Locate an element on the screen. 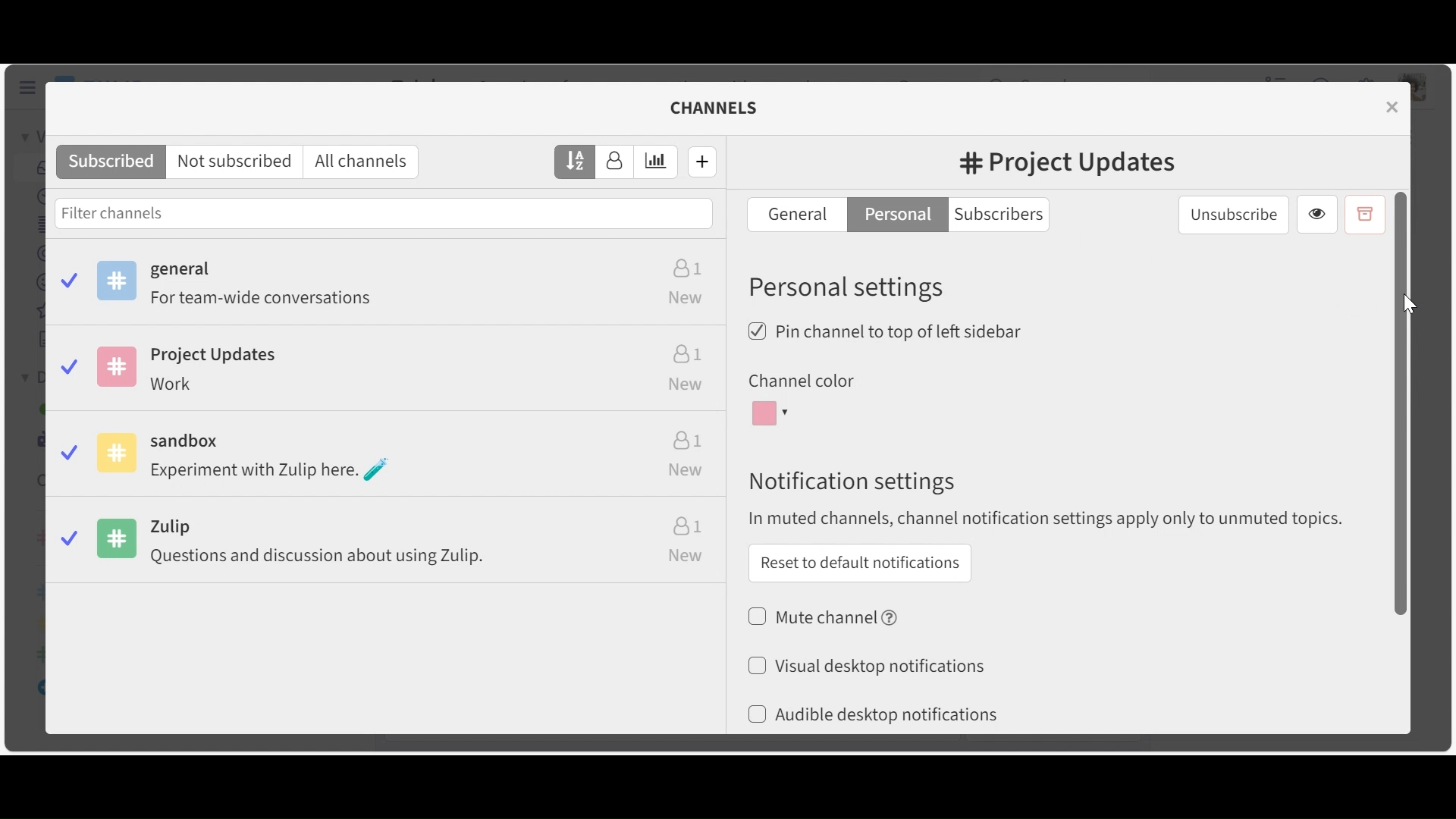  unsubscribe is located at coordinates (1234, 214).